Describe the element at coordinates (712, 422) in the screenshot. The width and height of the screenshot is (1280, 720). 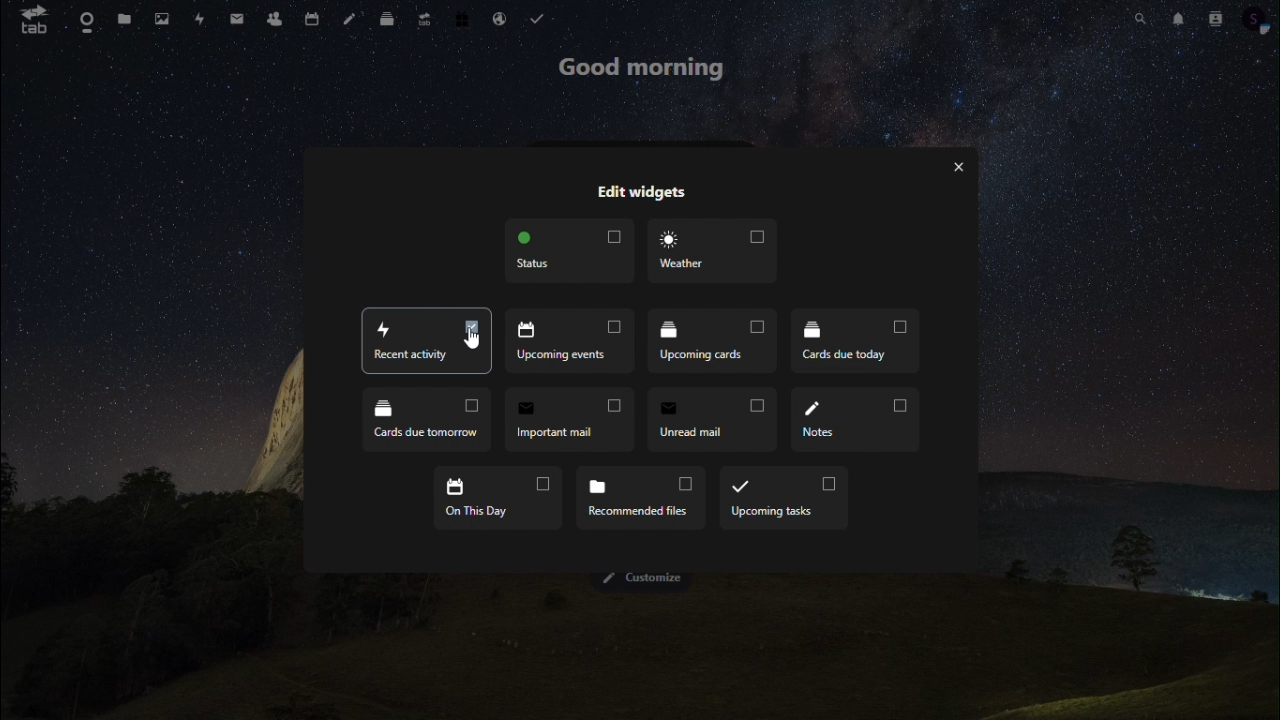
I see `unread mail` at that location.